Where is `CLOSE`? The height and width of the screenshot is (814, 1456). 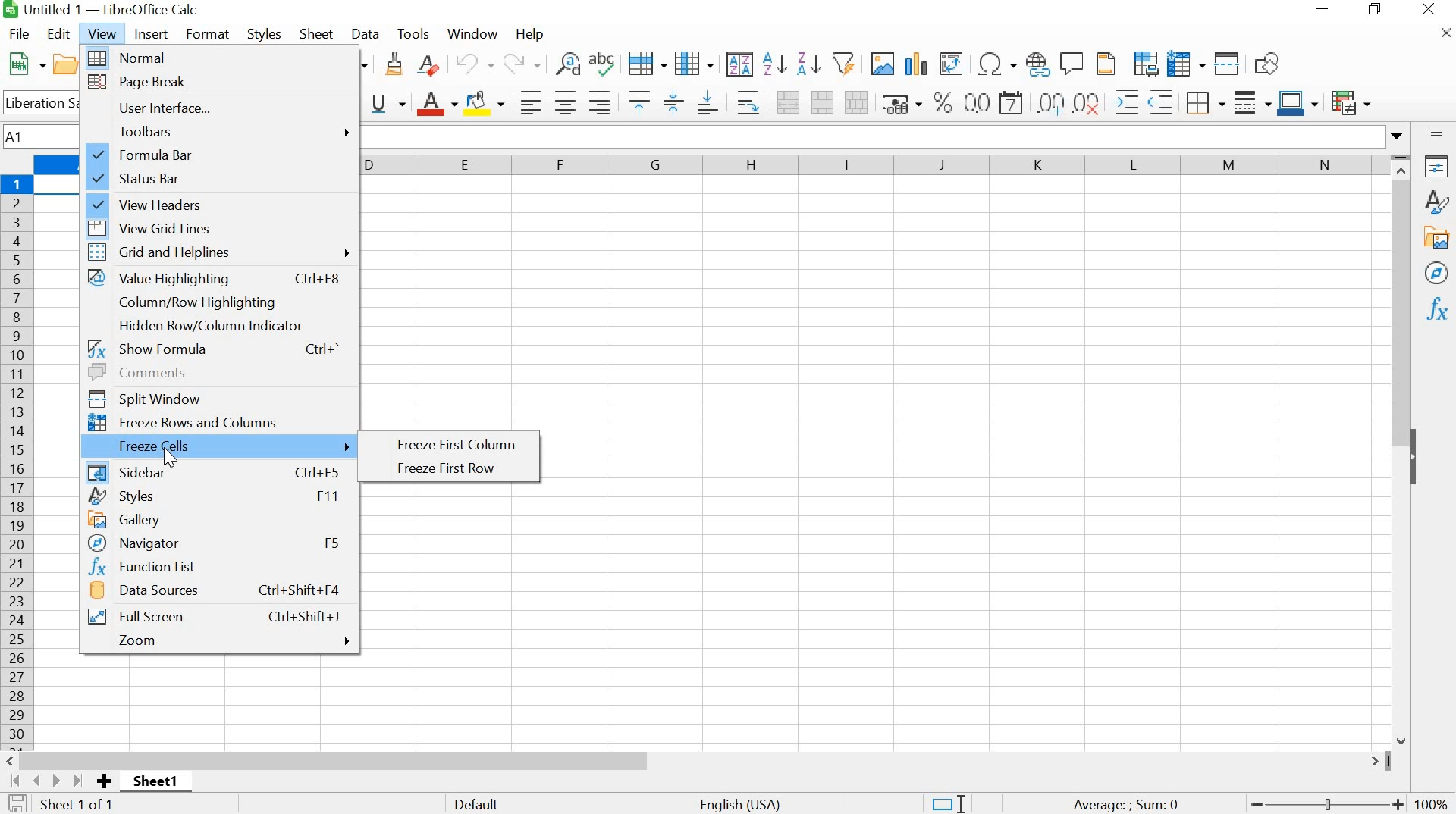
CLOSE is located at coordinates (1443, 37).